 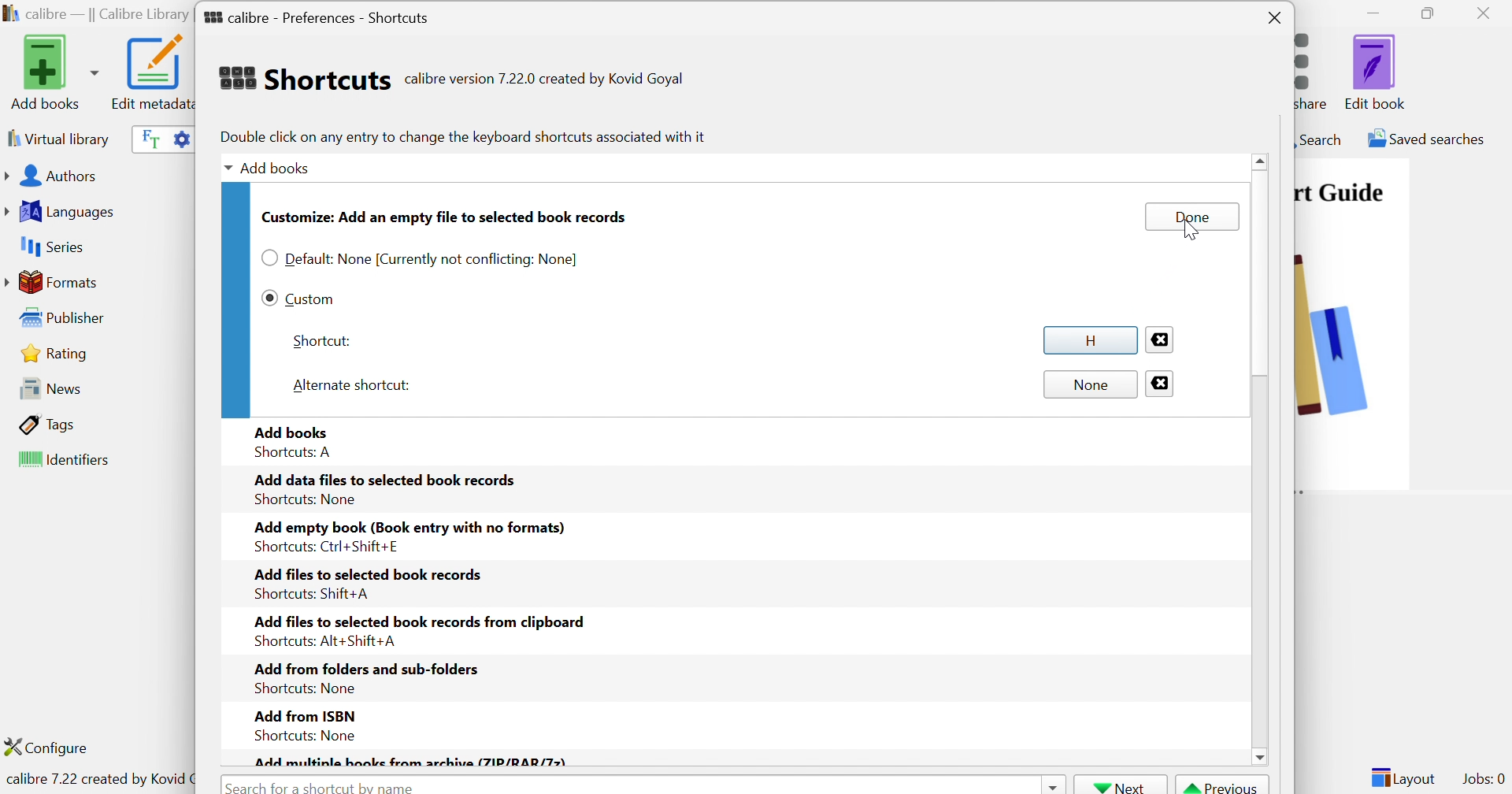 What do you see at coordinates (224, 169) in the screenshot?
I see `Drop Down` at bounding box center [224, 169].